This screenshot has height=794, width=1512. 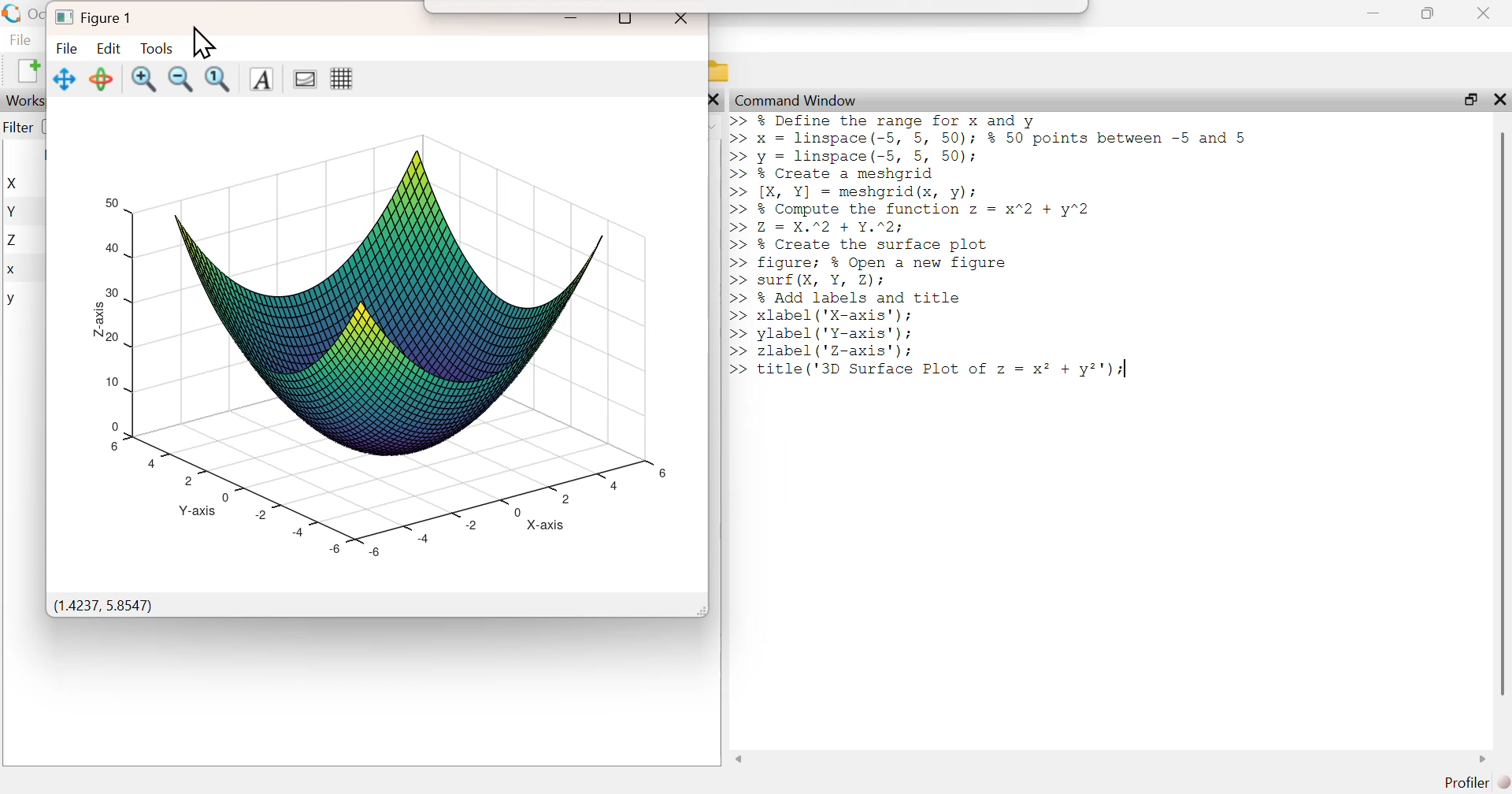 What do you see at coordinates (999, 251) in the screenshot?
I see `>> % Define the range for x and y

>> x = linspace(-5, 5, 50); % 50 points between -5 and 5
>> y = linspace(-5, 5, 50):

>> % Create a meshgrid

>> [X, Y] = meshgrid(x, y):

>> % Compute the function z = x"2 + y"2

>> Z = X."2 + Y.2;

>> % Create the surface plot

>> figure; % Open a new figure

>> surf (X, Y, Z):

>> % Add labels and title

>> xlabel ('X-axis');

>> ylabel ('Y-axis');

>> zlabel('Z-axis'):

>> title('3D Surface Plot of z = x? + v2) 4` at bounding box center [999, 251].